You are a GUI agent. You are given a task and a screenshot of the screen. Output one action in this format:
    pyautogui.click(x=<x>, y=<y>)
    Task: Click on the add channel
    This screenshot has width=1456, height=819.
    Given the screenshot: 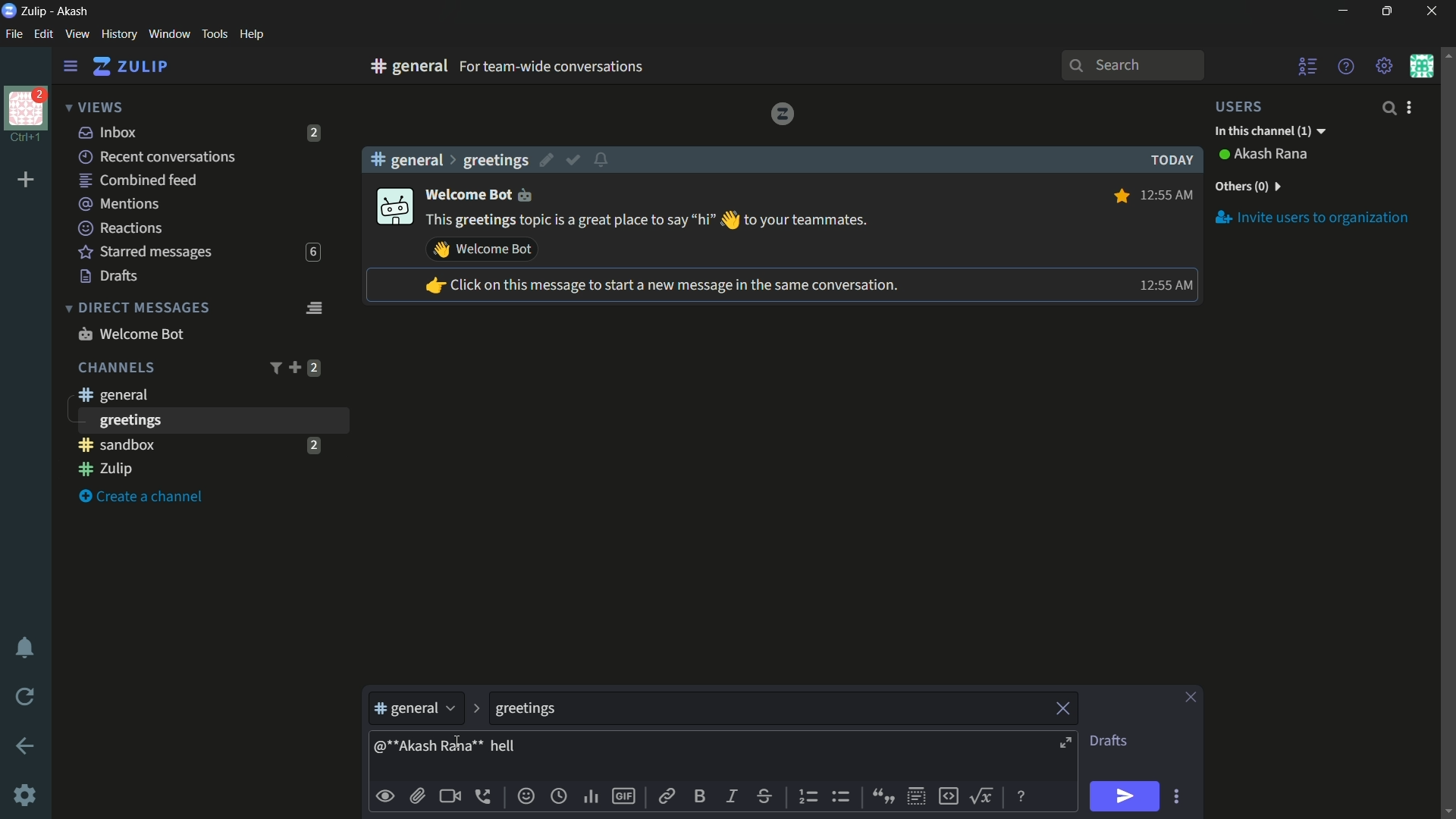 What is the action you would take?
    pyautogui.click(x=294, y=367)
    